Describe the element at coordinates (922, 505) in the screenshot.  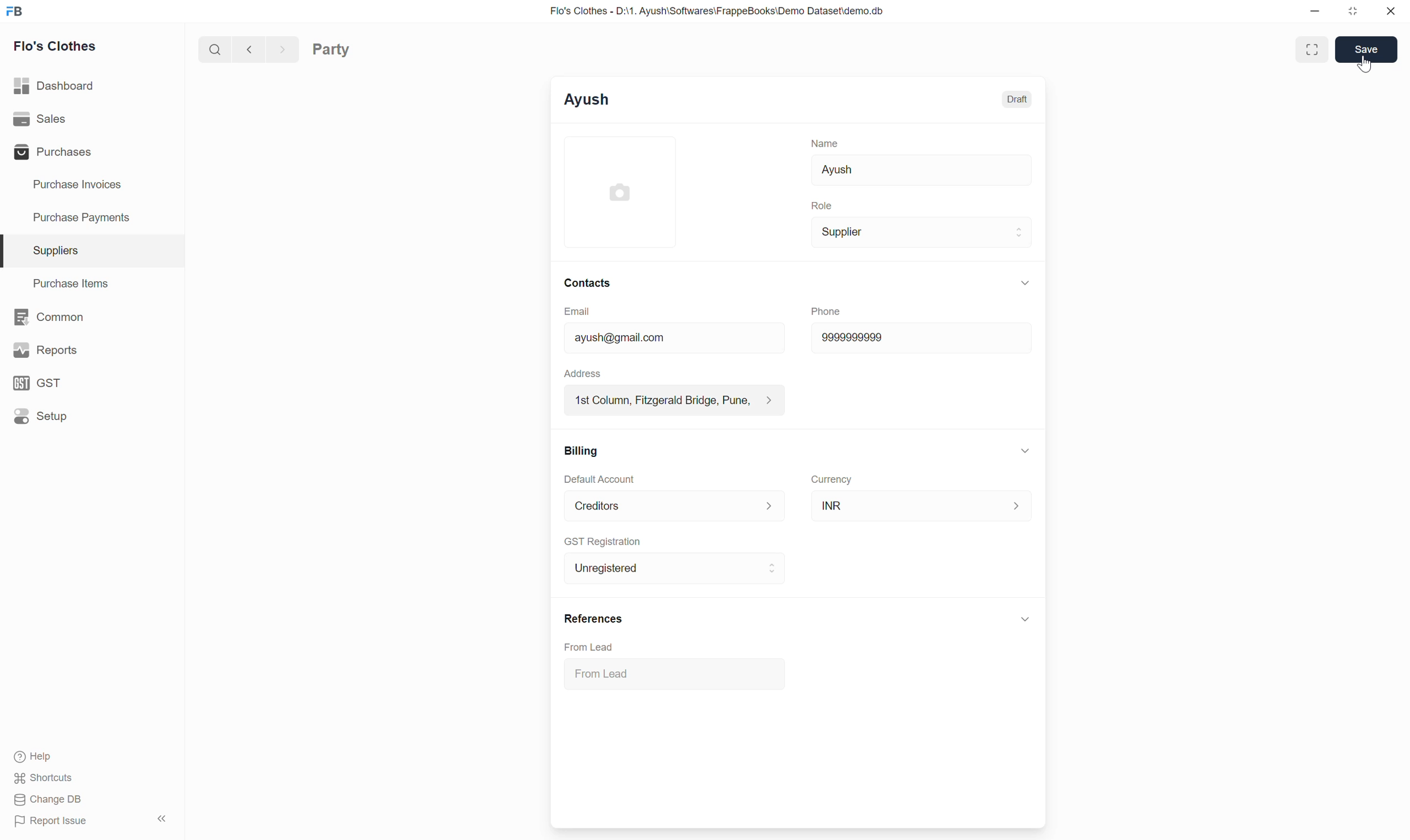
I see `INR` at that location.